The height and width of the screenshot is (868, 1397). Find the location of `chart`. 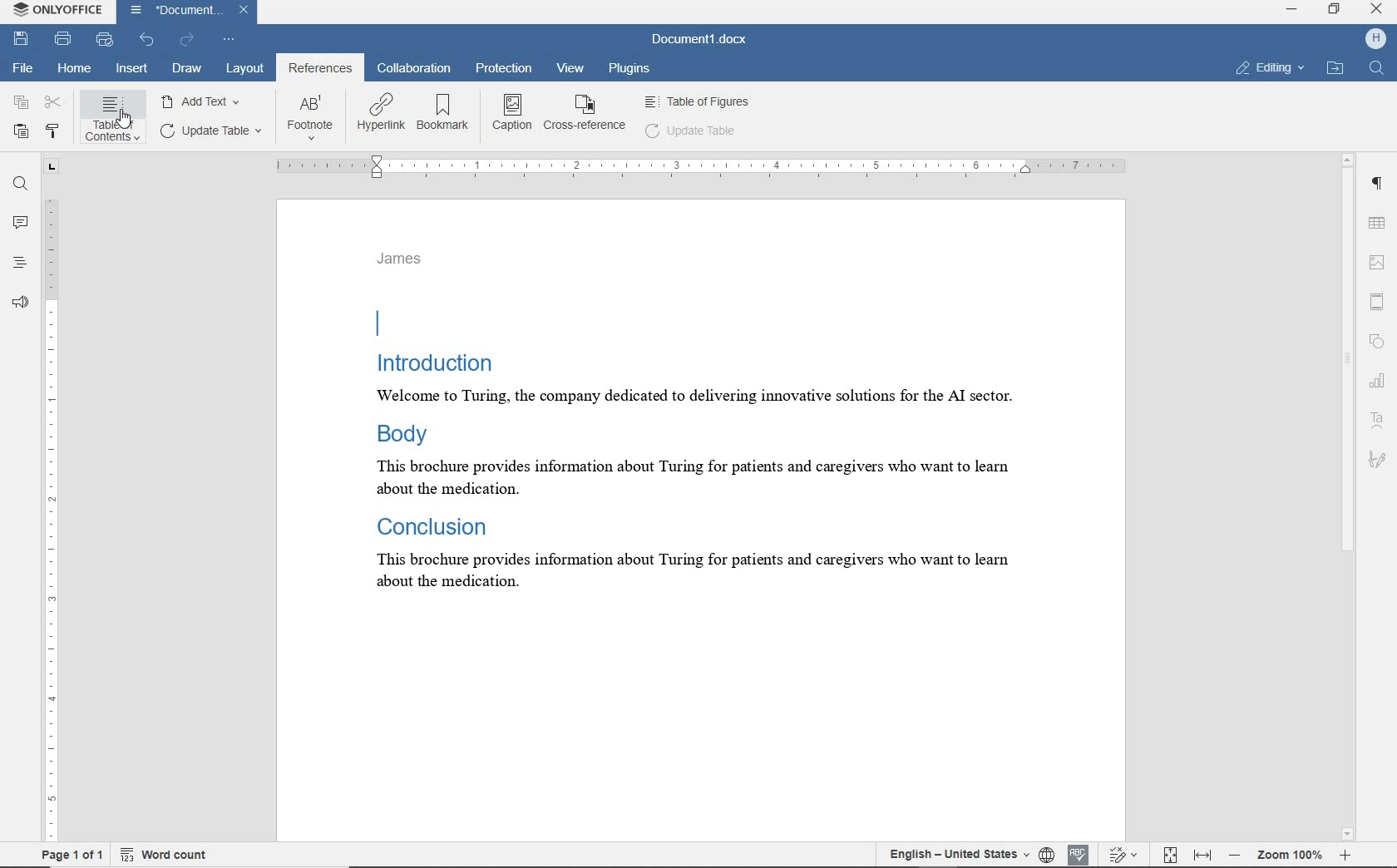

chart is located at coordinates (1379, 379).